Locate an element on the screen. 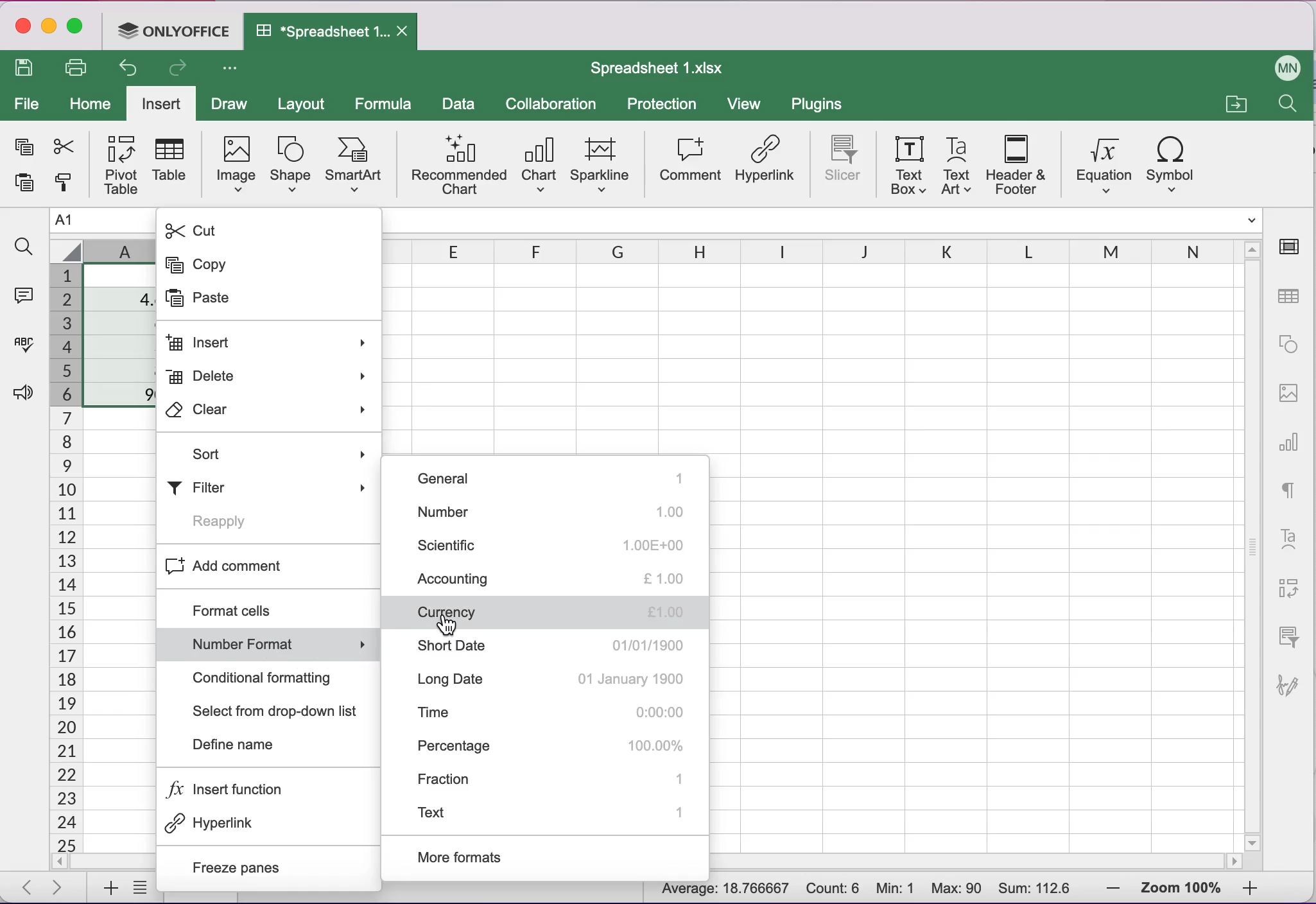  zoom percentage is located at coordinates (1182, 887).